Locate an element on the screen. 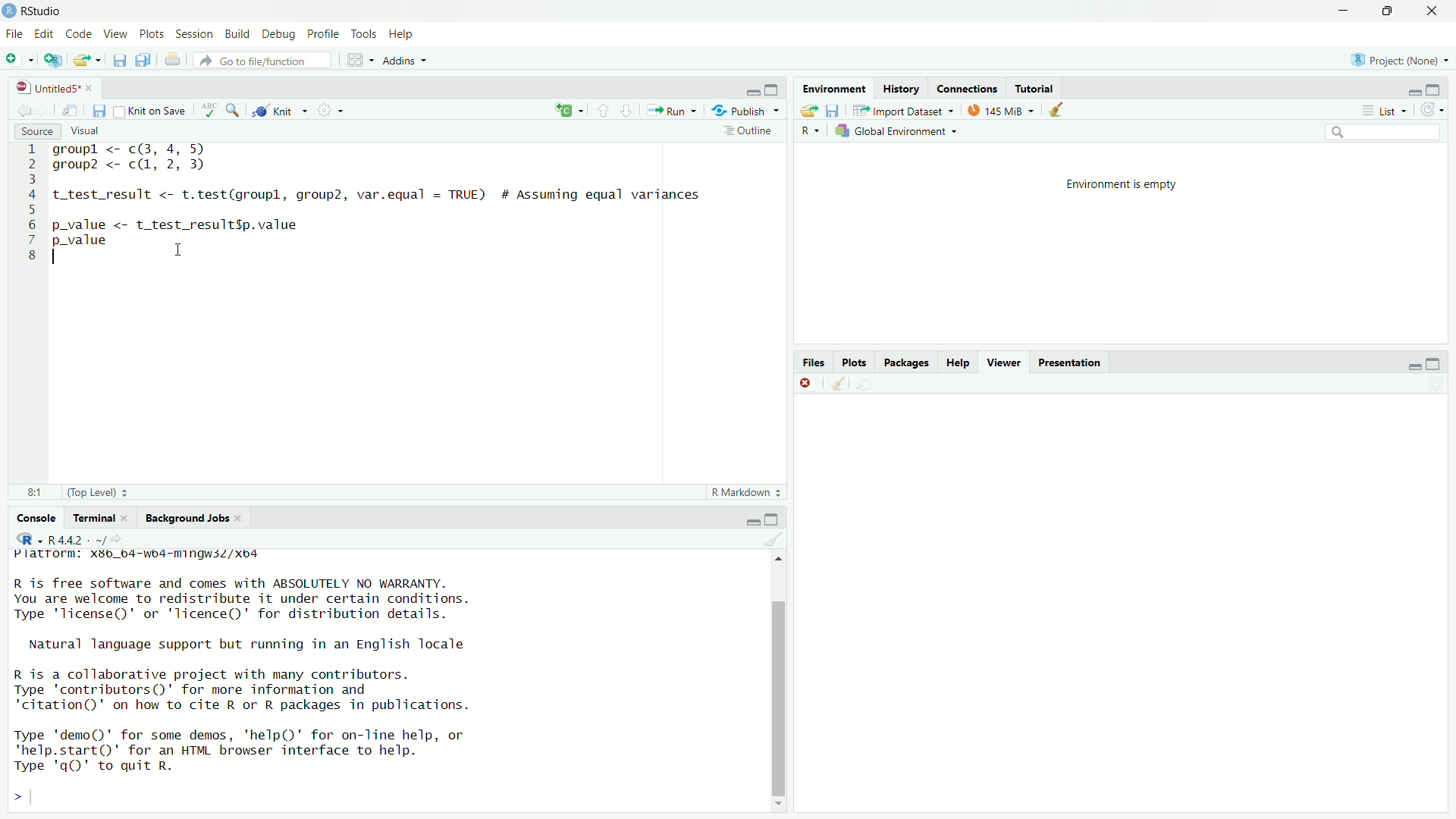 This screenshot has height=819, width=1456. RStudio logo is located at coordinates (29, 538).